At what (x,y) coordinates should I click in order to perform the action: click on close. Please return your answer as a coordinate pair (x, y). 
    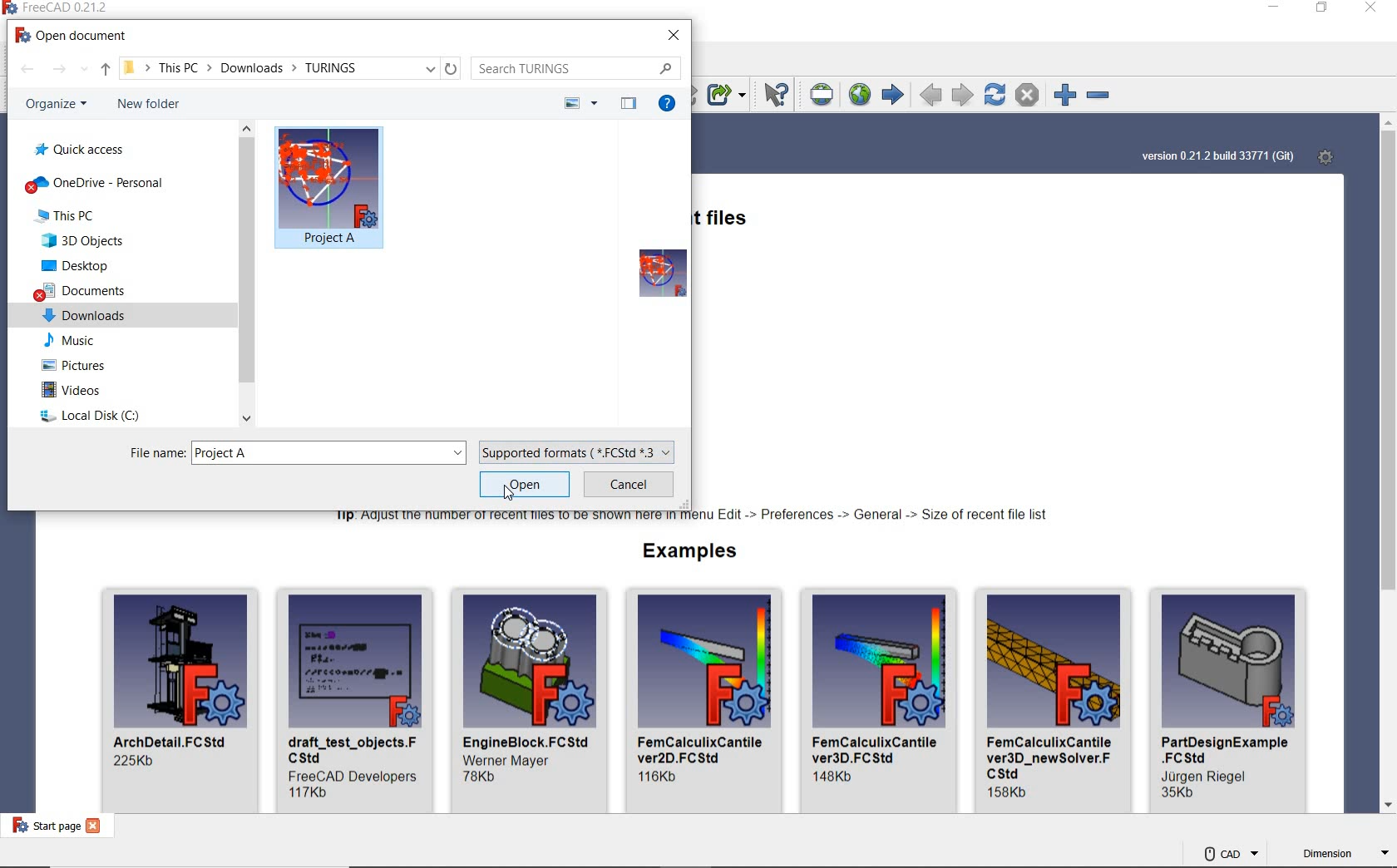
    Looking at the image, I should click on (95, 826).